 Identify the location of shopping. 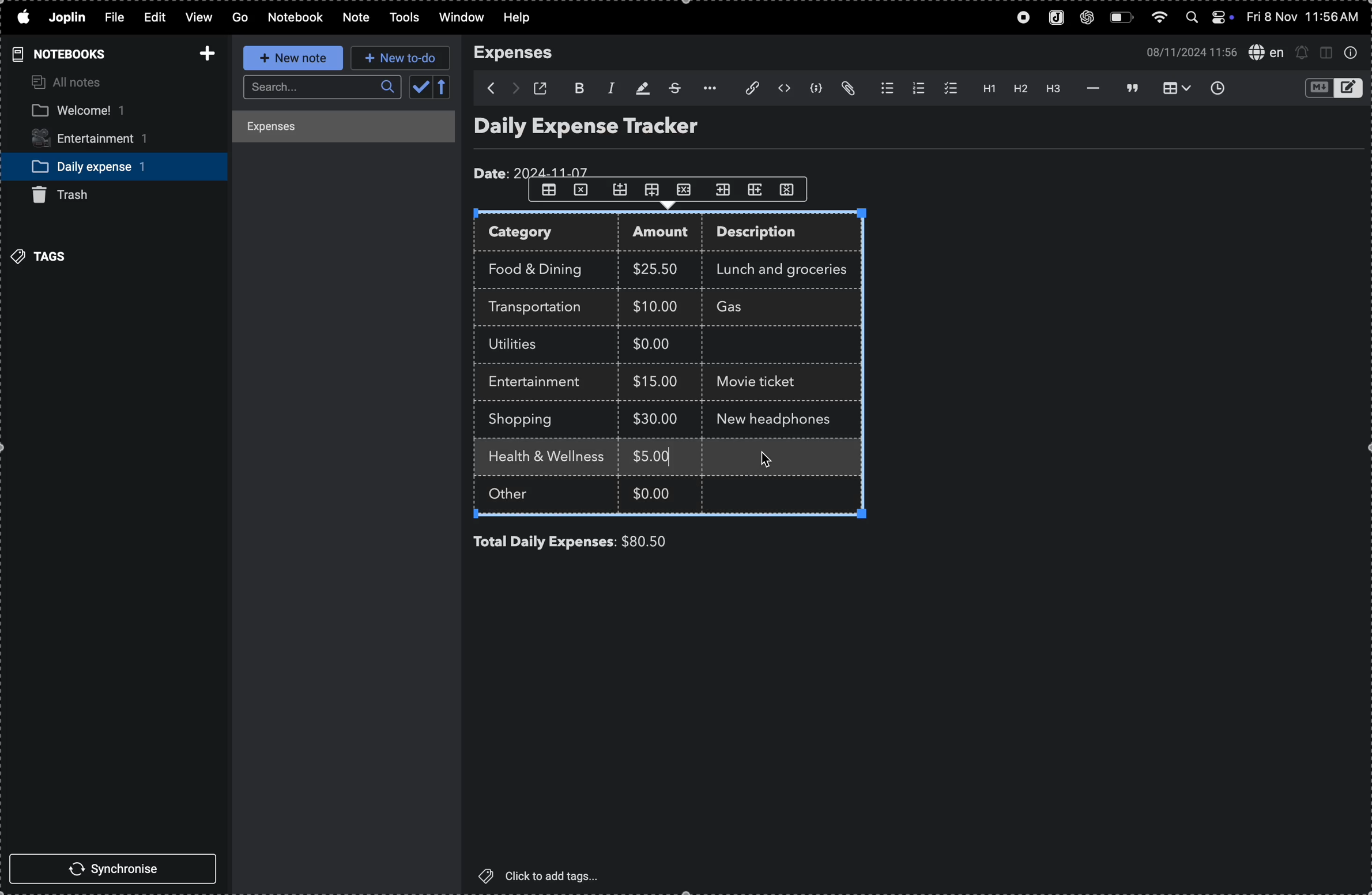
(529, 420).